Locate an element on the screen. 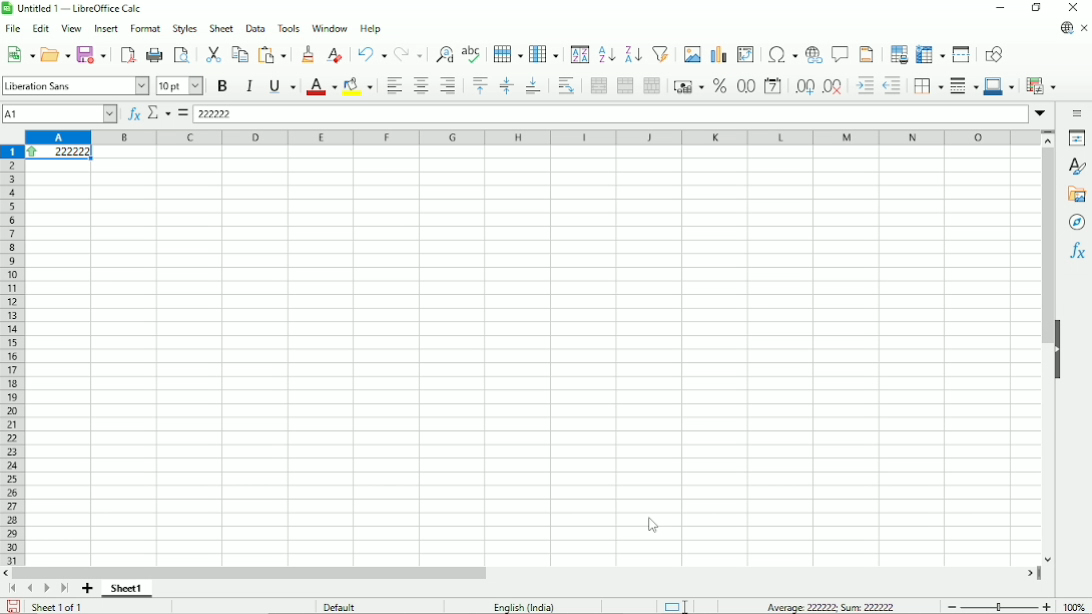  scroll down is located at coordinates (1048, 559).